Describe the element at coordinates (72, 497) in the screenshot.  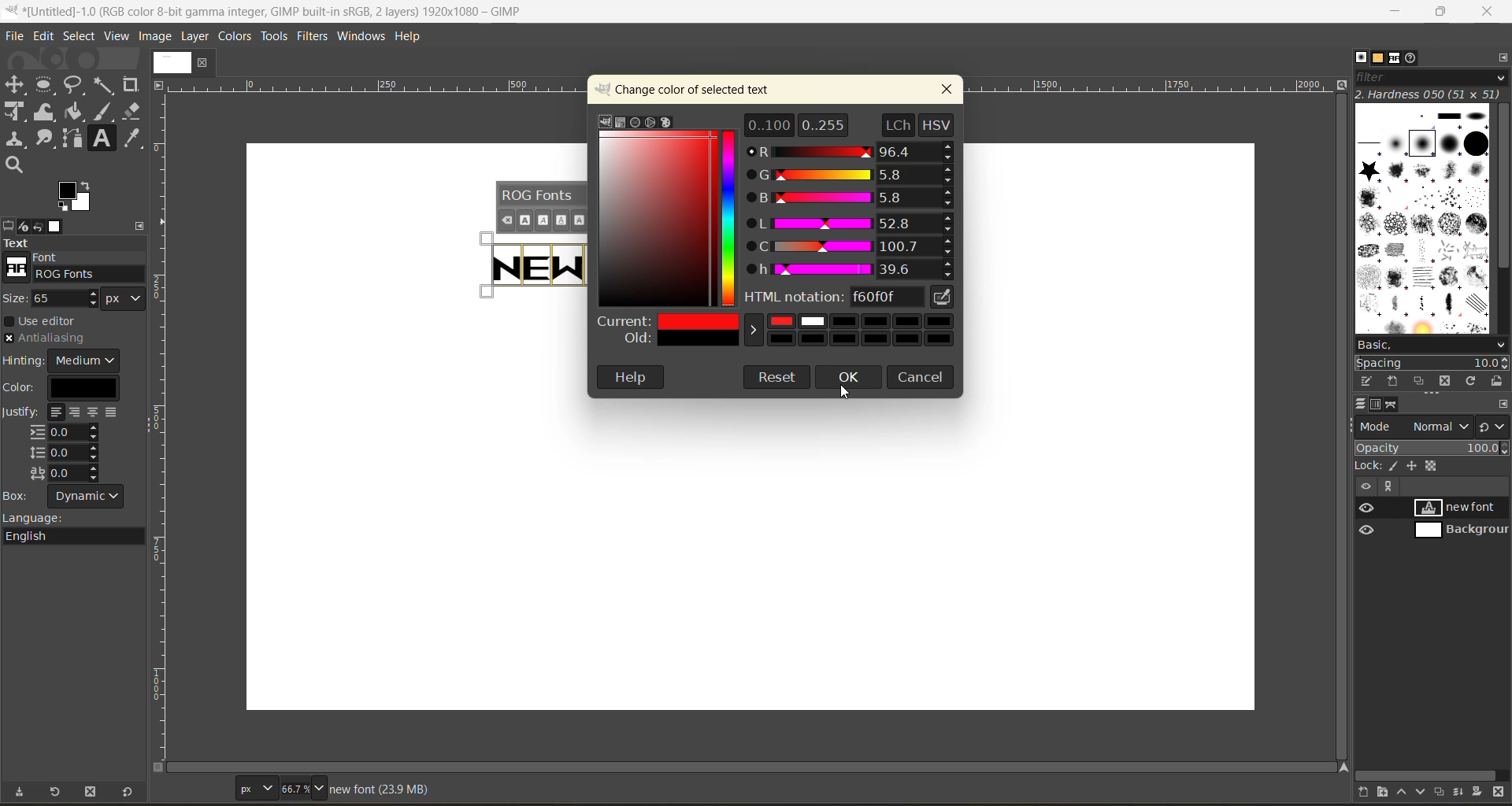
I see `box` at that location.